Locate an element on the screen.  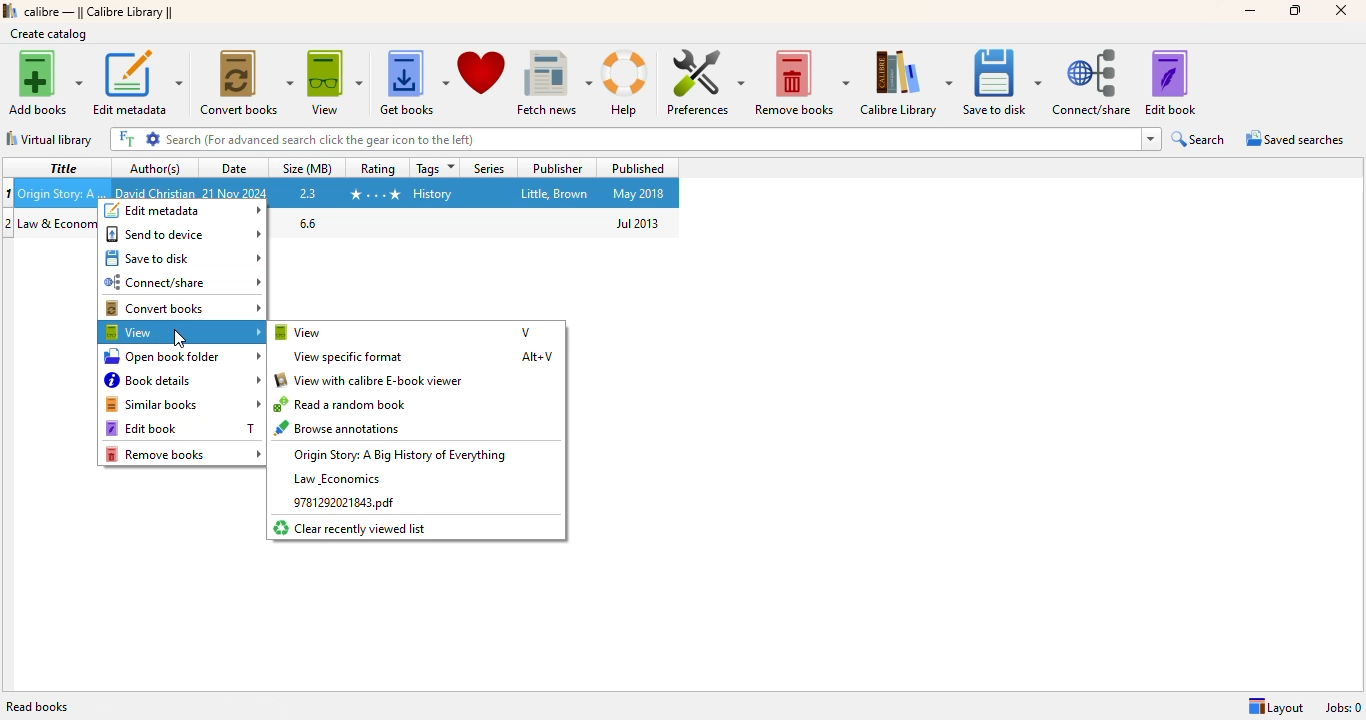
send to device is located at coordinates (184, 233).